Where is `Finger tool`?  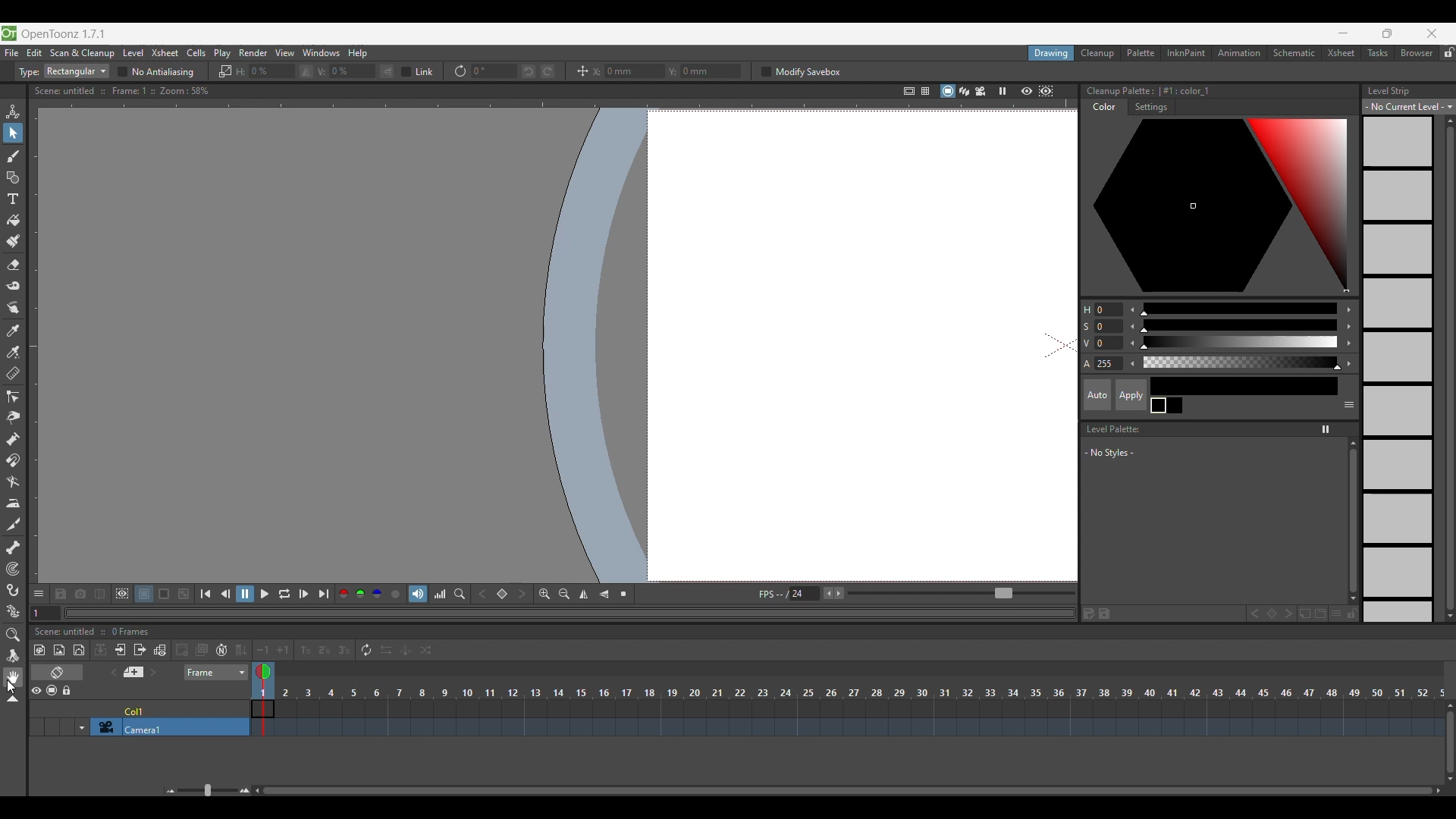
Finger tool is located at coordinates (13, 307).